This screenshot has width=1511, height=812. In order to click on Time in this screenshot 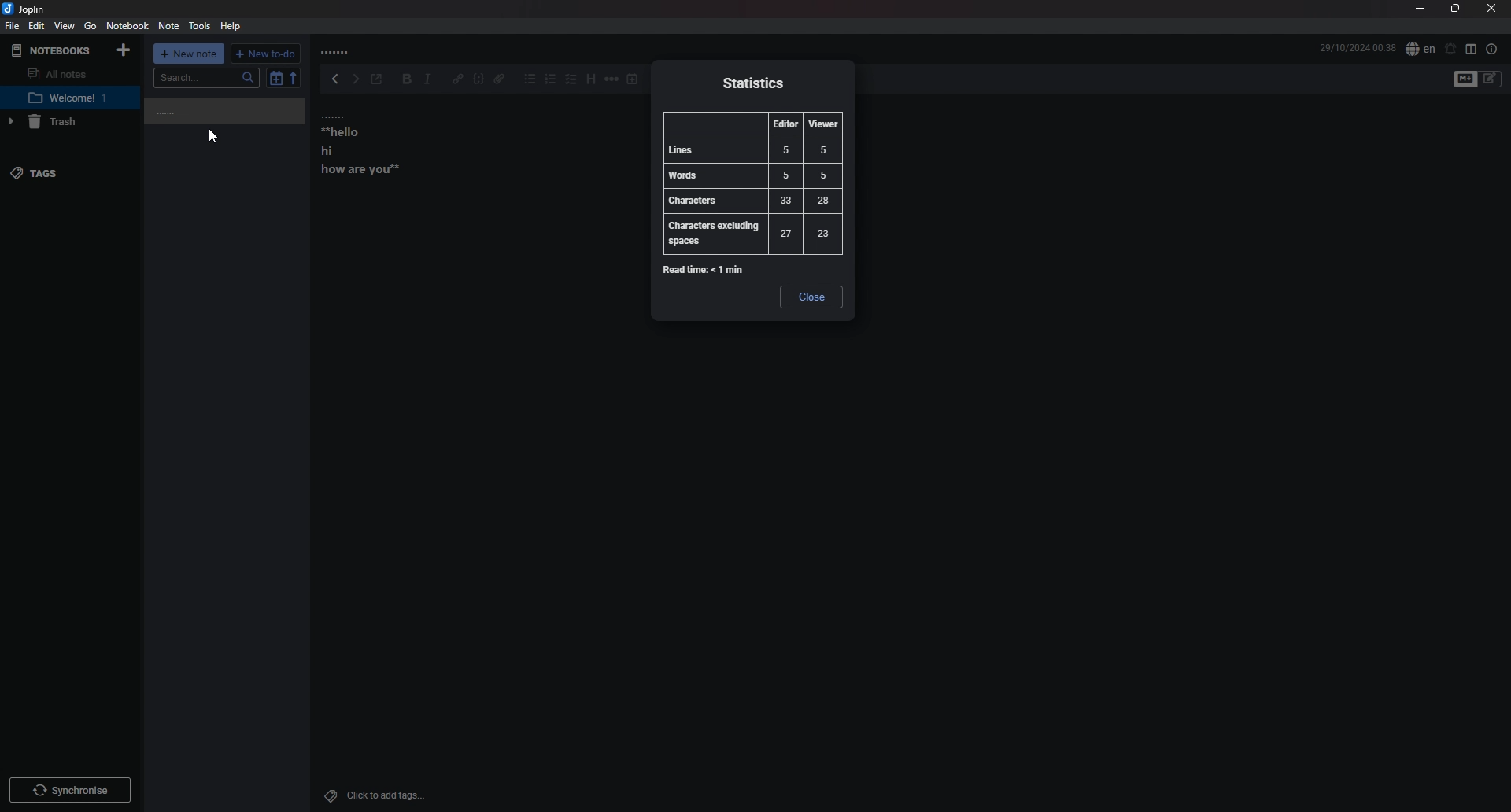, I will do `click(1356, 46)`.